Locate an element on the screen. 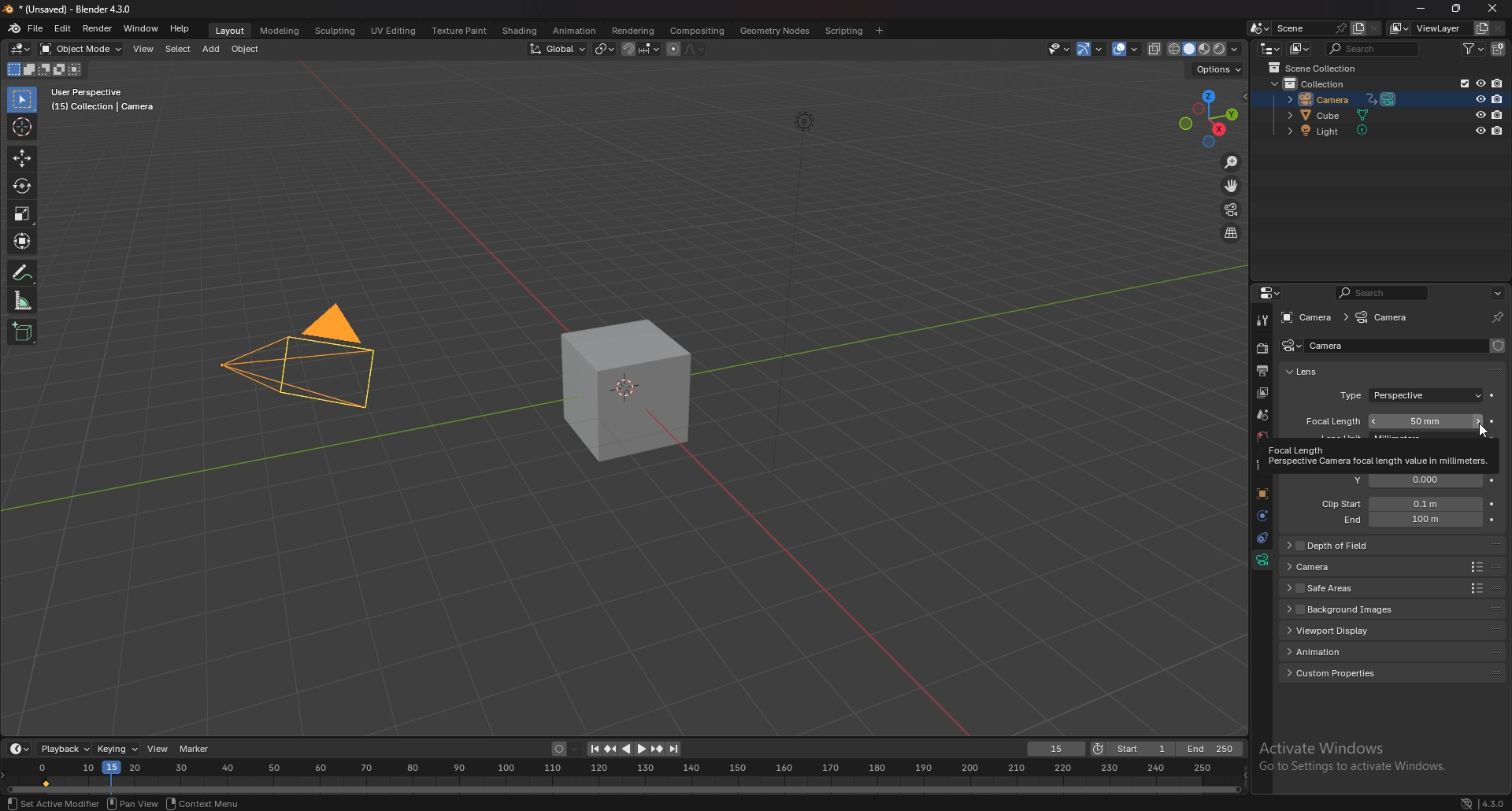 This screenshot has height=811, width=1512. add viewlayer is located at coordinates (1481, 27).